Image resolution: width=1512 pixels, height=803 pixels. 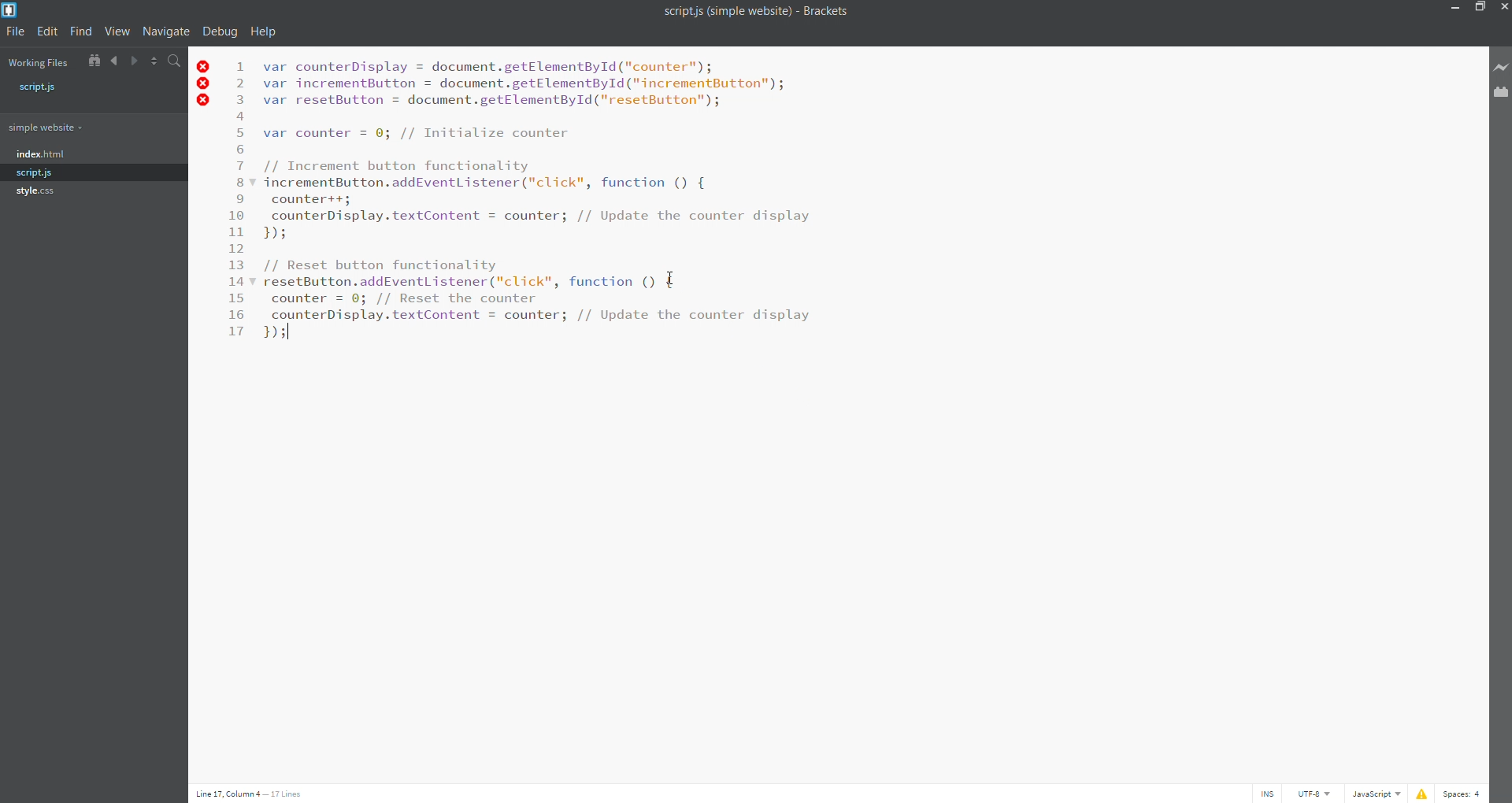 I want to click on file encoding, so click(x=1315, y=794).